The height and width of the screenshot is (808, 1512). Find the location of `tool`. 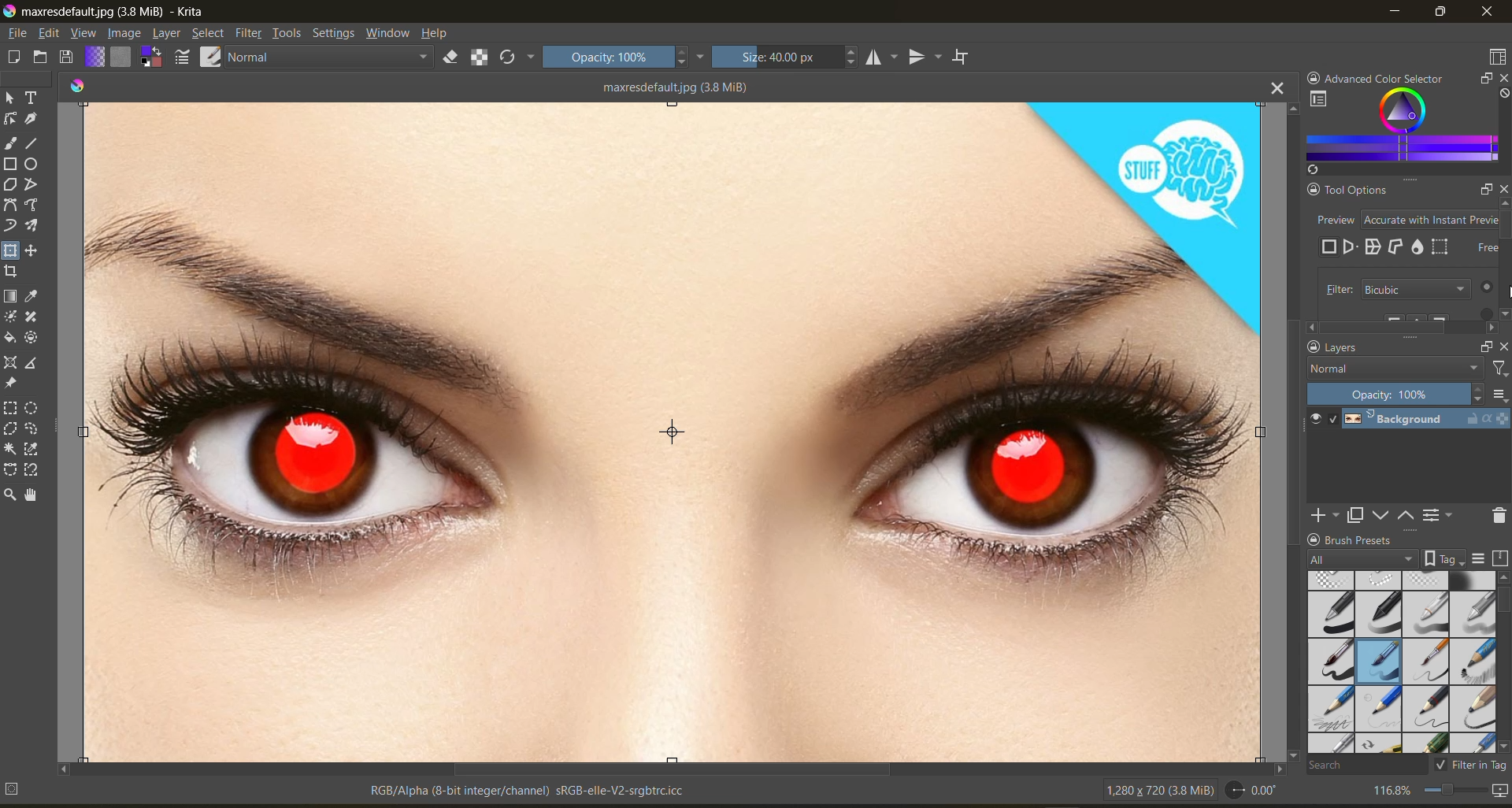

tool is located at coordinates (32, 339).